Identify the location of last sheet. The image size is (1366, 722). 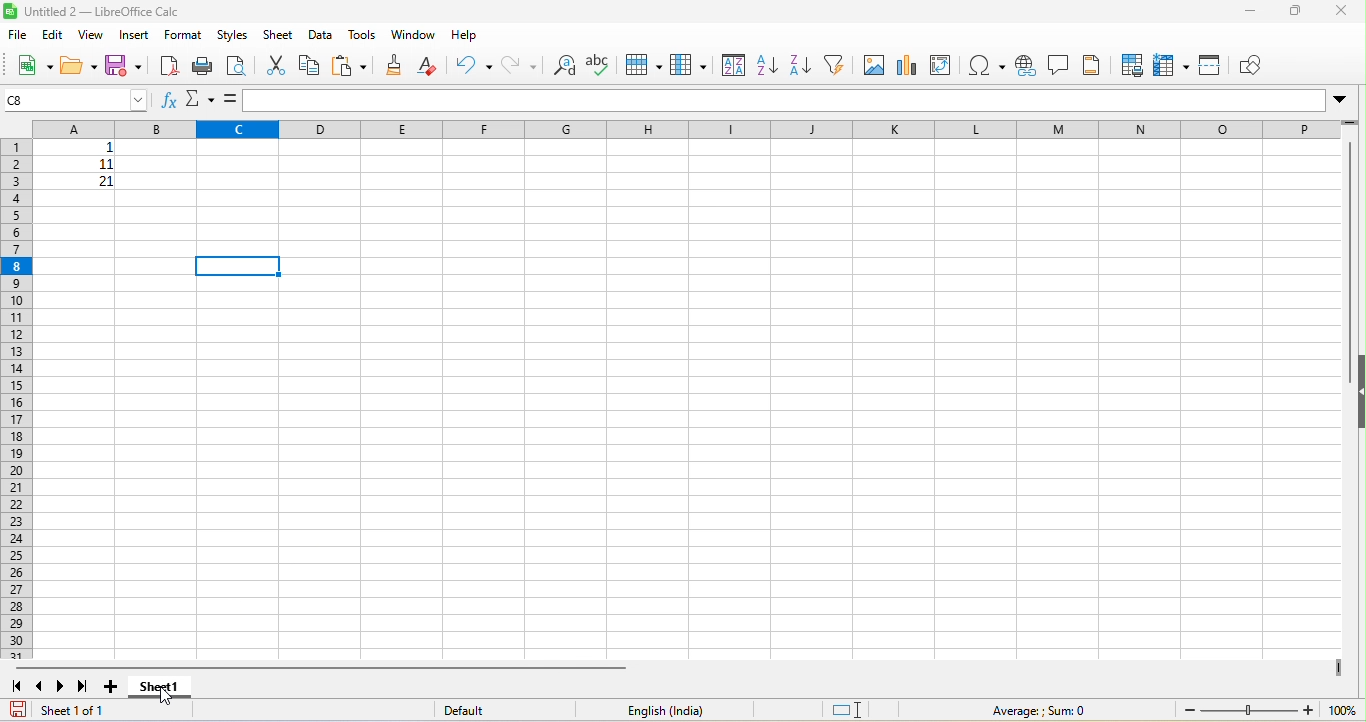
(85, 686).